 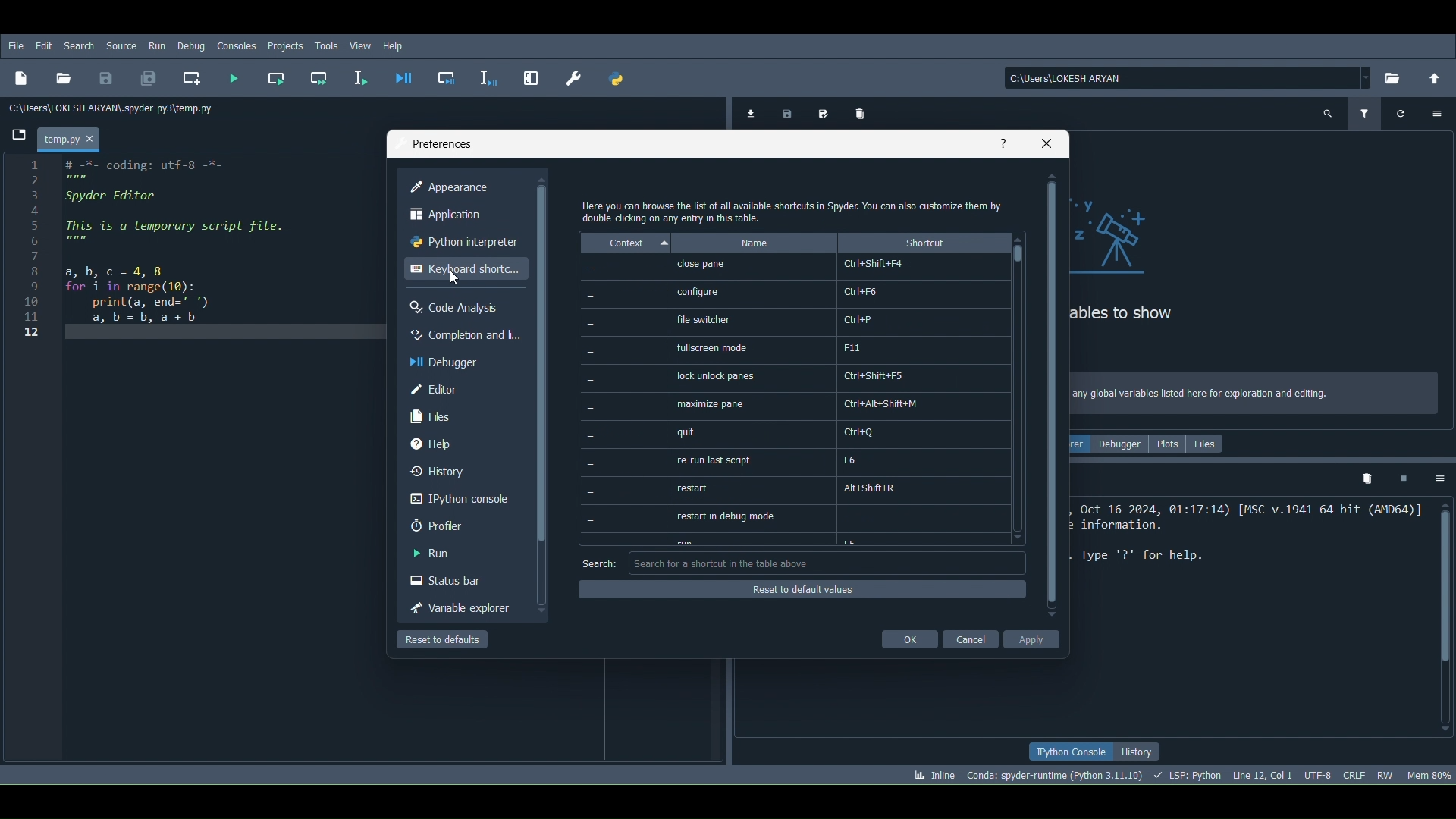 I want to click on Interrupt kernel, so click(x=1402, y=477).